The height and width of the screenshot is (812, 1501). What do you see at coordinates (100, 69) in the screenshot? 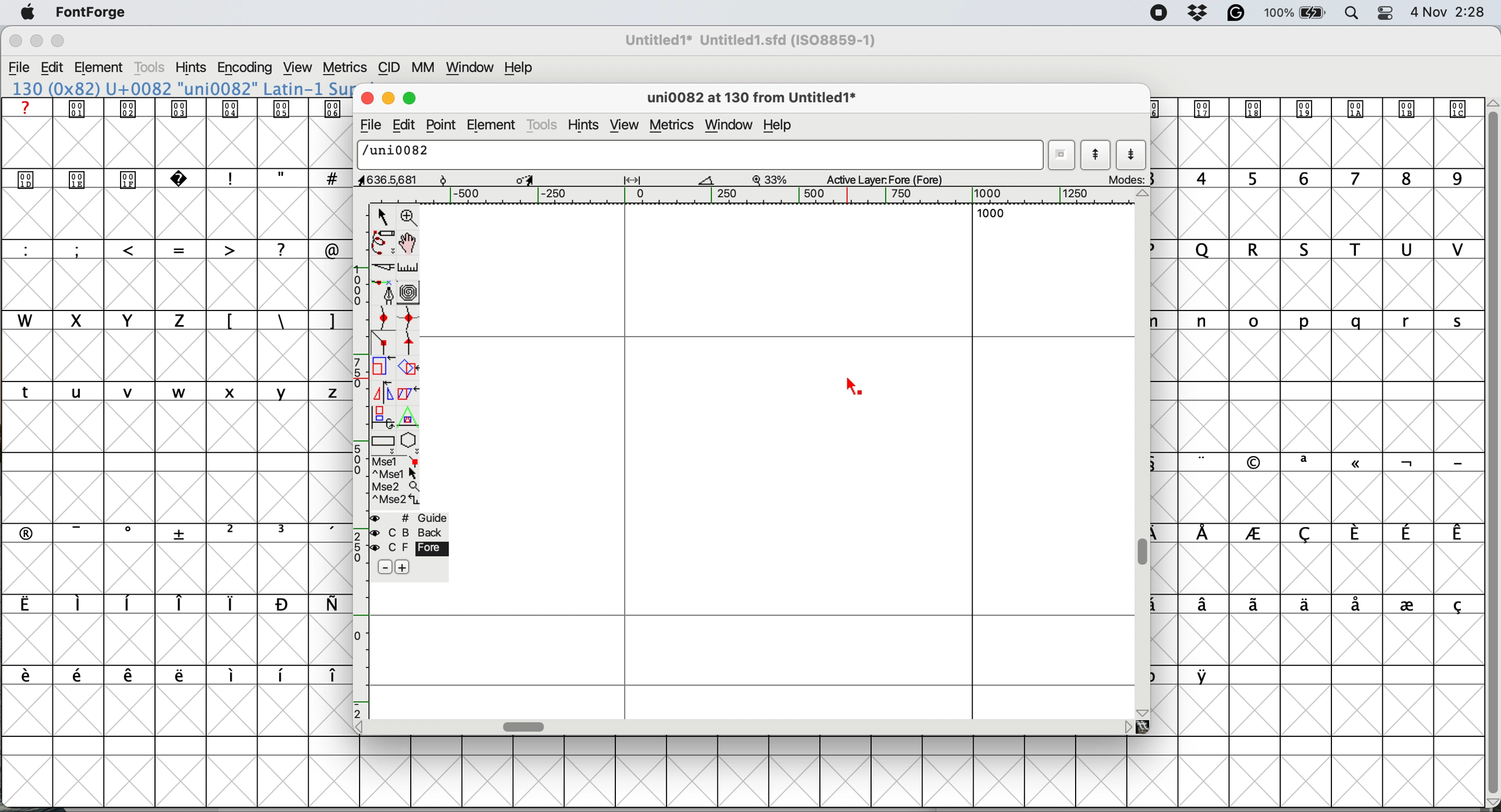
I see `element` at bounding box center [100, 69].